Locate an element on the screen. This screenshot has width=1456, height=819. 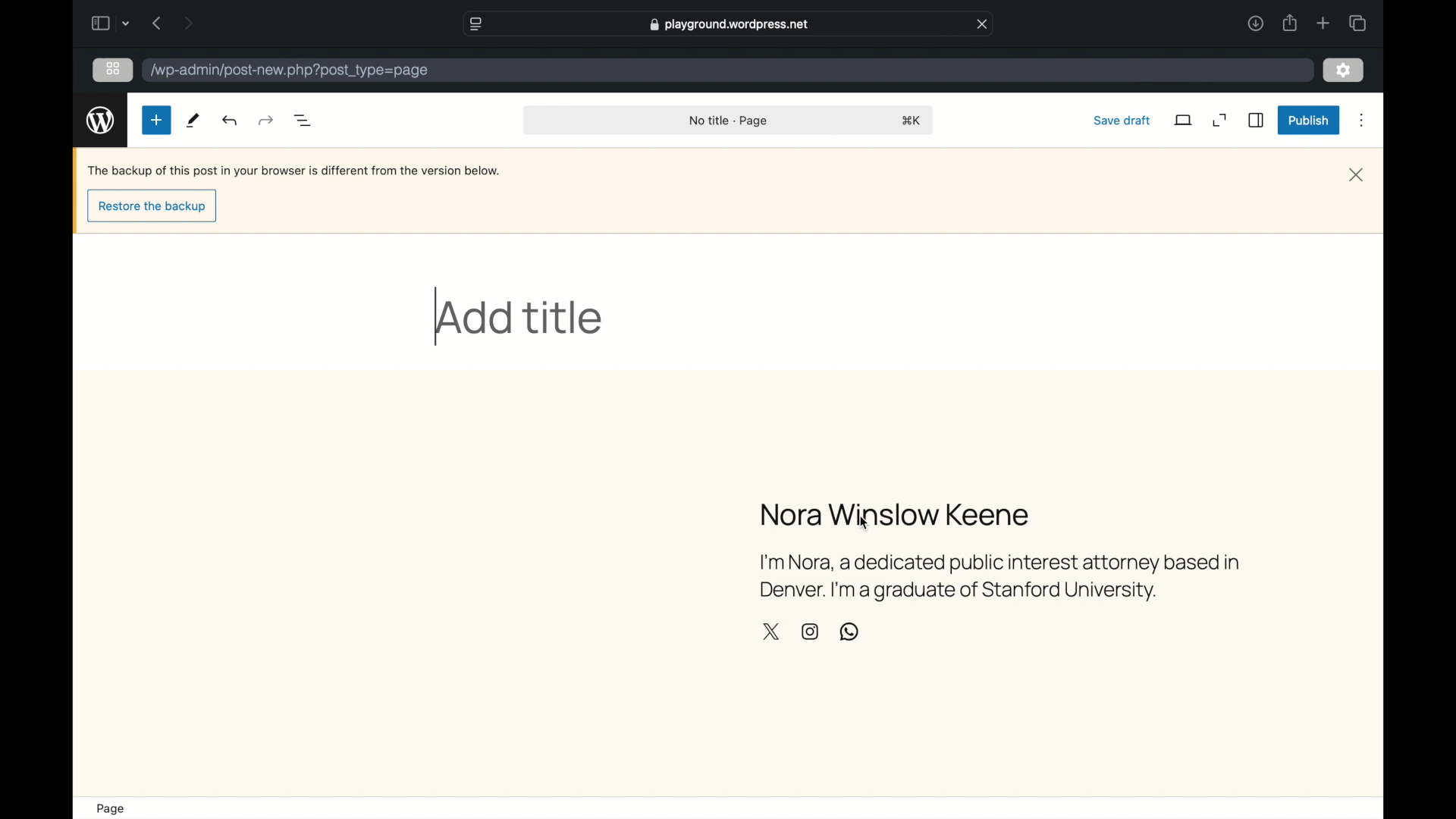
whatsapp is located at coordinates (849, 632).